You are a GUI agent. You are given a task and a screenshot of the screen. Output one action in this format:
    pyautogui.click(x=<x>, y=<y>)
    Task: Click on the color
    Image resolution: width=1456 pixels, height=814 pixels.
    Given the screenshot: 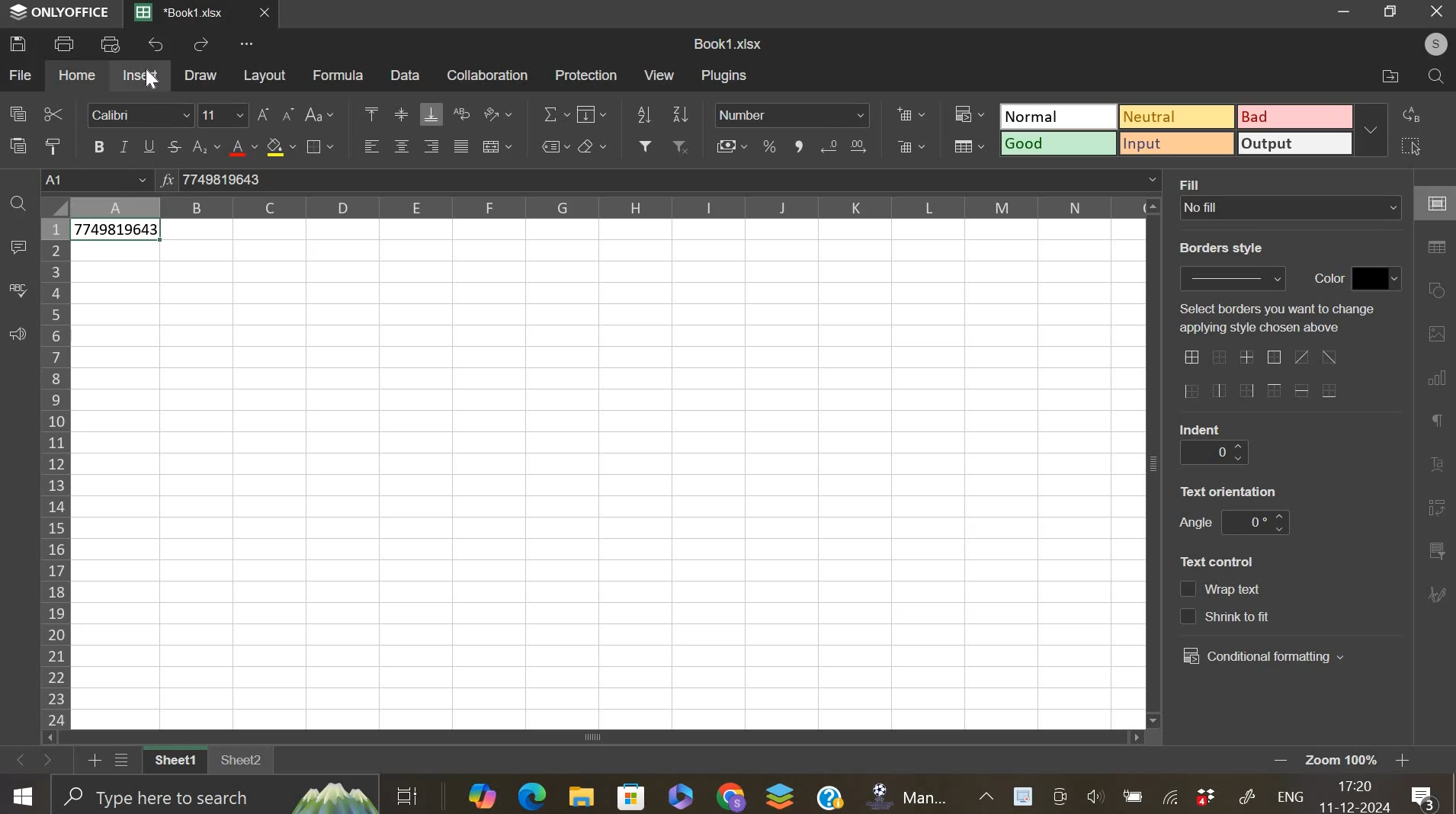 What is the action you would take?
    pyautogui.click(x=1377, y=278)
    